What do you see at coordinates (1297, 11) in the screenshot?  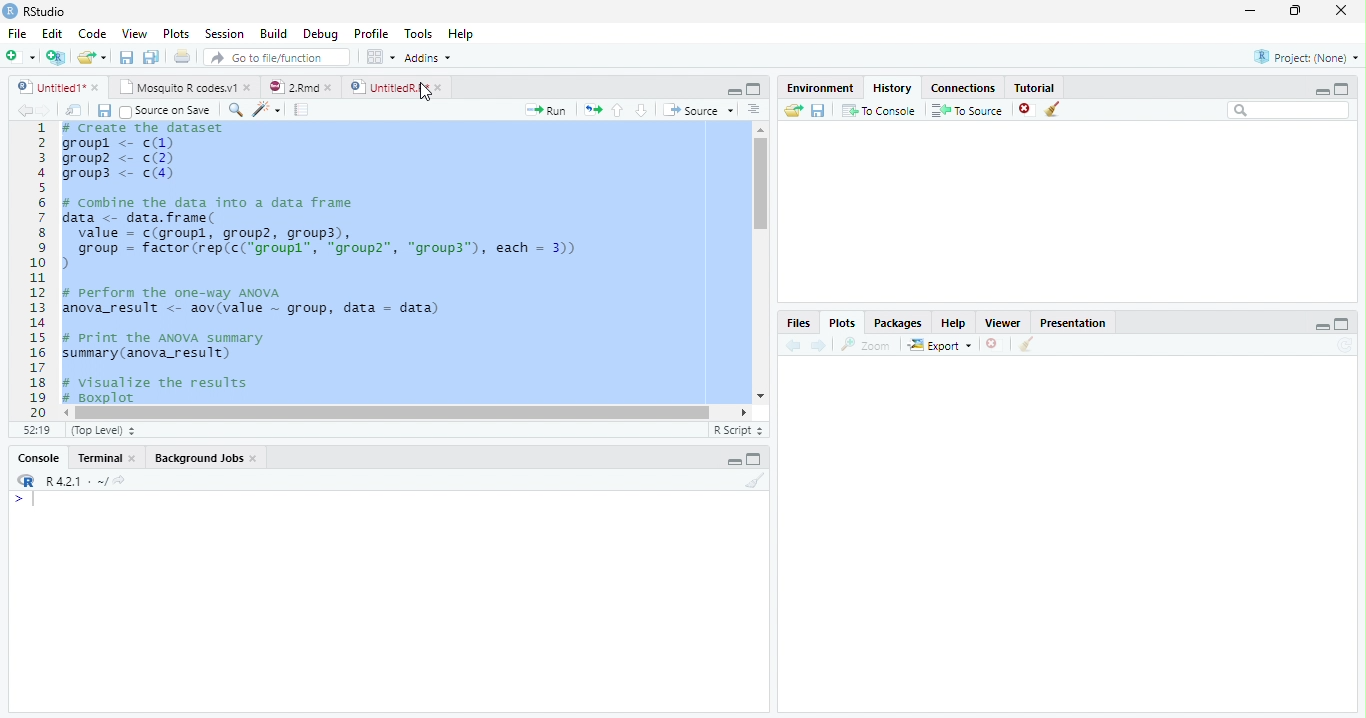 I see `Maximize` at bounding box center [1297, 11].